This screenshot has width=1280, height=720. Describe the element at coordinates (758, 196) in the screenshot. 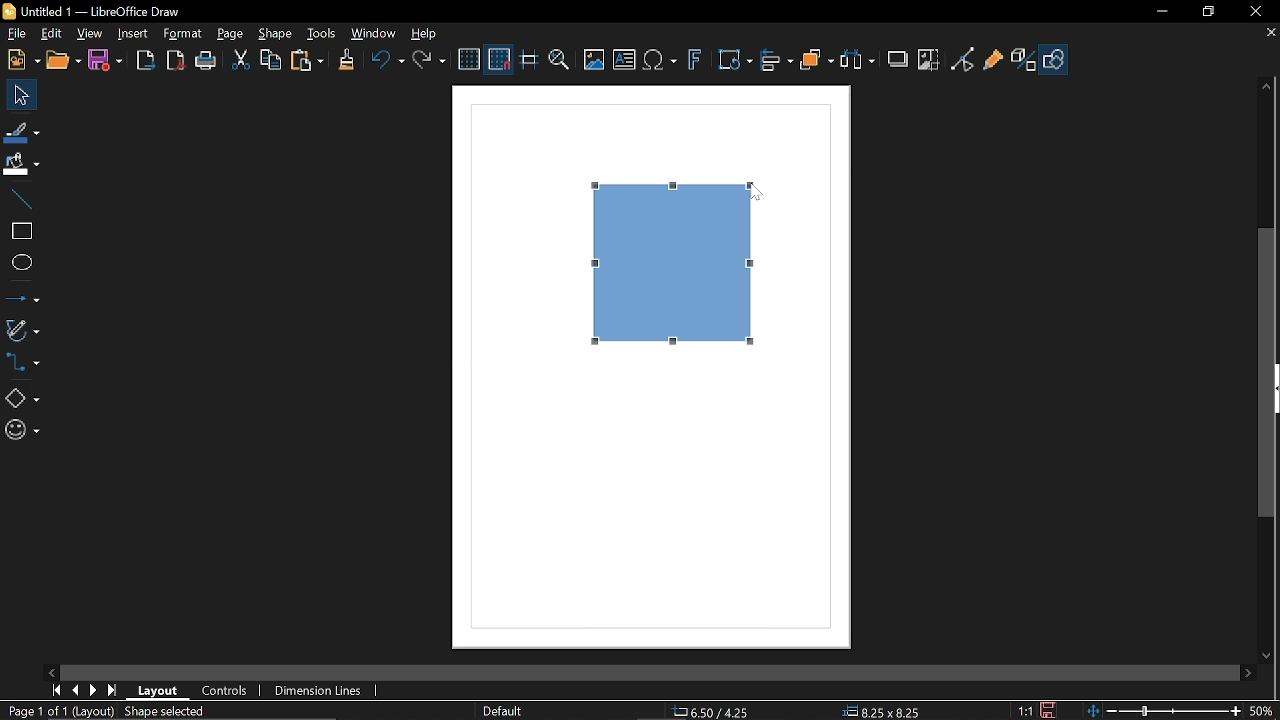

I see `Cursor` at that location.